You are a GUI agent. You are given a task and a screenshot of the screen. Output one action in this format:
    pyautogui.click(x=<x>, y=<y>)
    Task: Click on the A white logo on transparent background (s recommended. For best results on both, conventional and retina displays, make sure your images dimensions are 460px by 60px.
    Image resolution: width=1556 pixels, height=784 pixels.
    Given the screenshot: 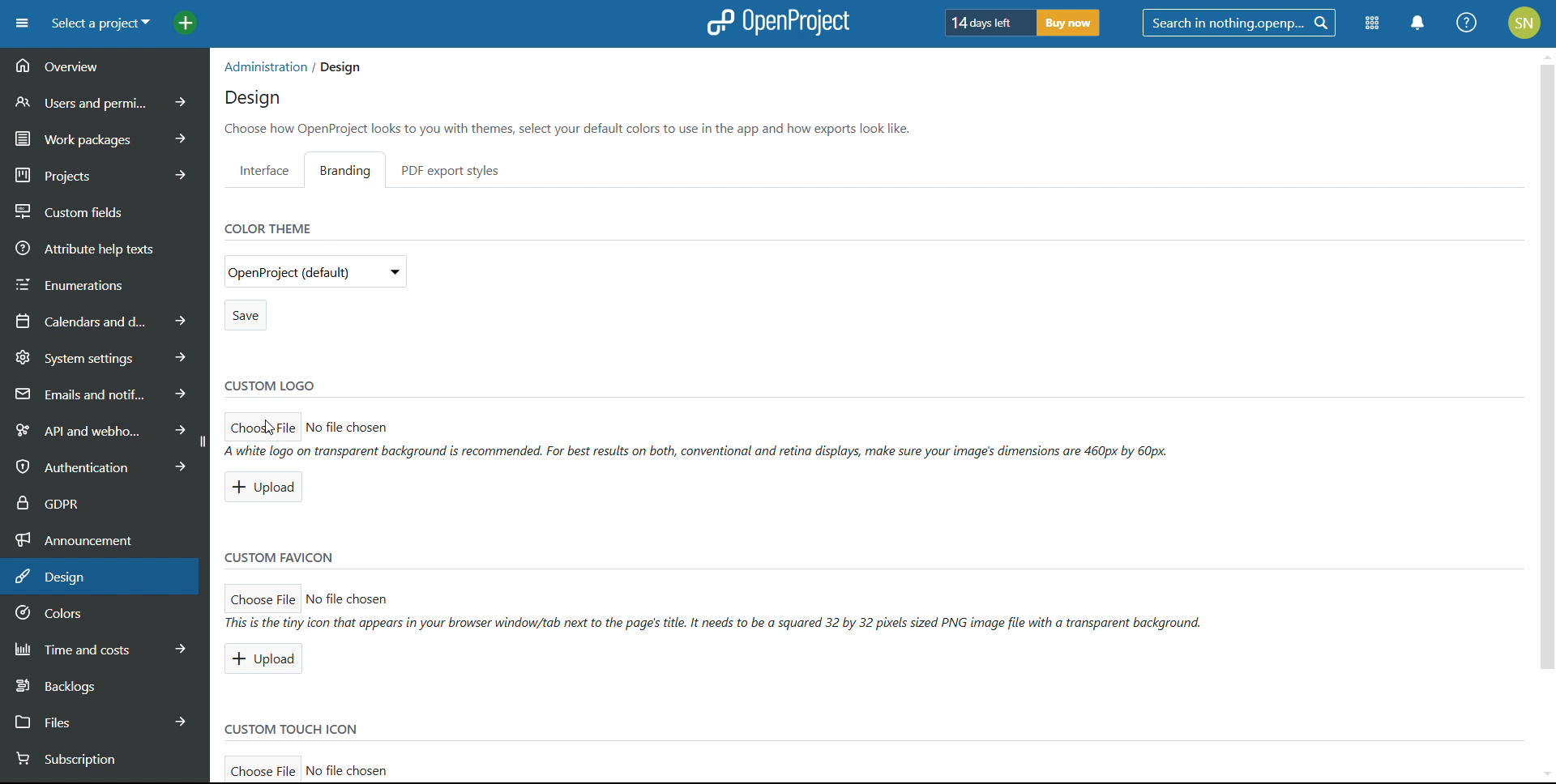 What is the action you would take?
    pyautogui.click(x=699, y=451)
    